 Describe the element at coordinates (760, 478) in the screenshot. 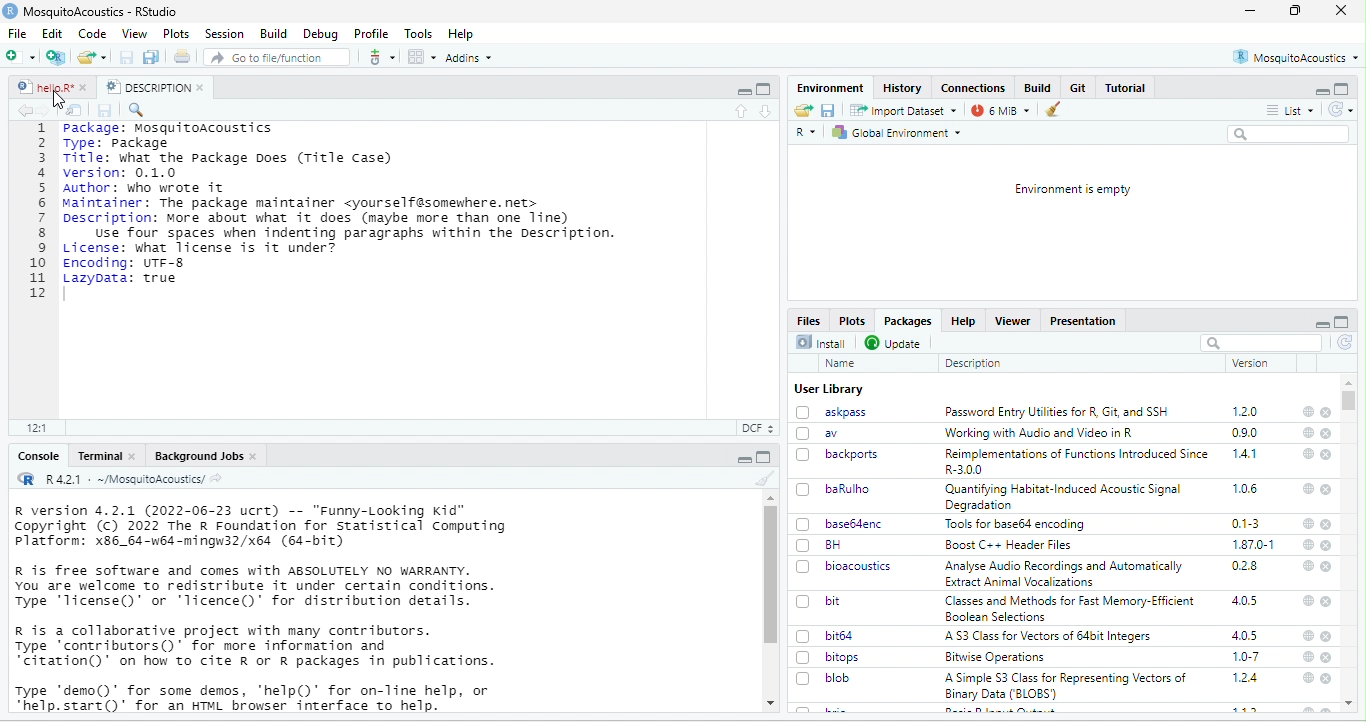

I see `clear console` at that location.